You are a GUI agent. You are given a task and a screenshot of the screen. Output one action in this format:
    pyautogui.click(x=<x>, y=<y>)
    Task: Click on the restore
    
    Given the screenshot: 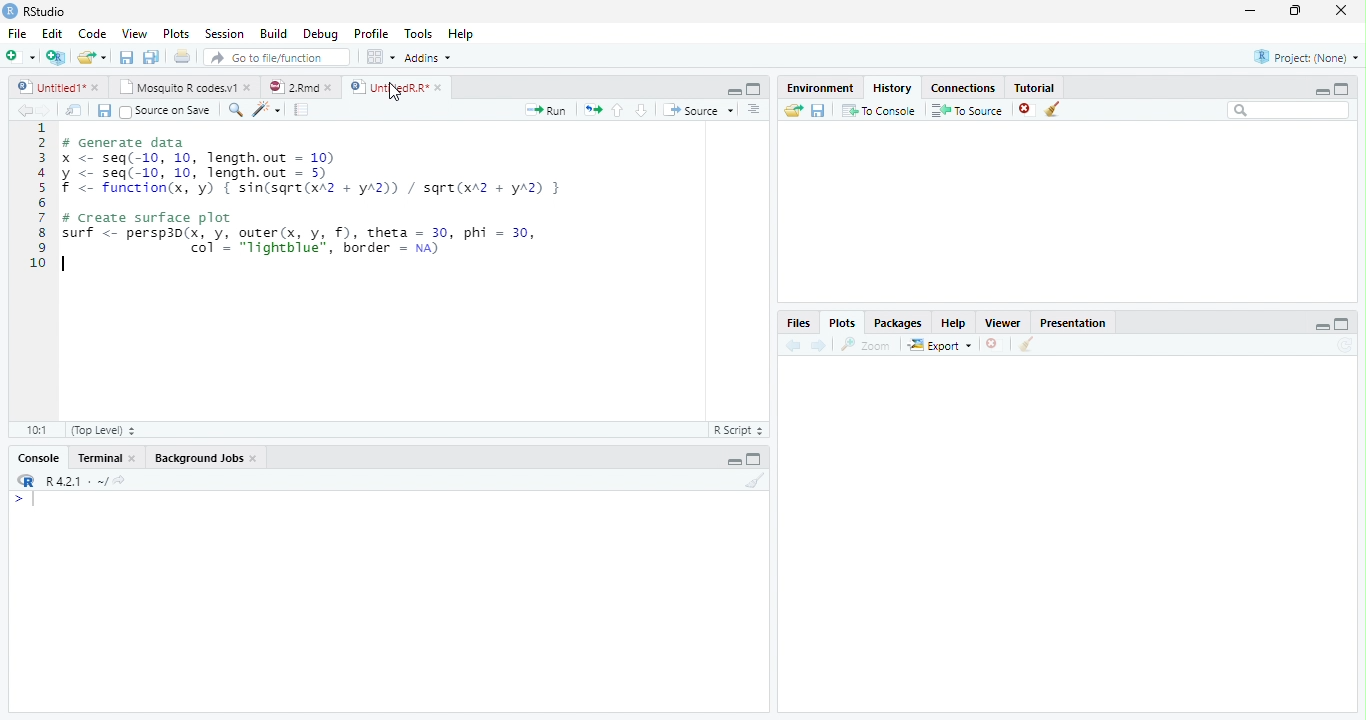 What is the action you would take?
    pyautogui.click(x=1295, y=10)
    